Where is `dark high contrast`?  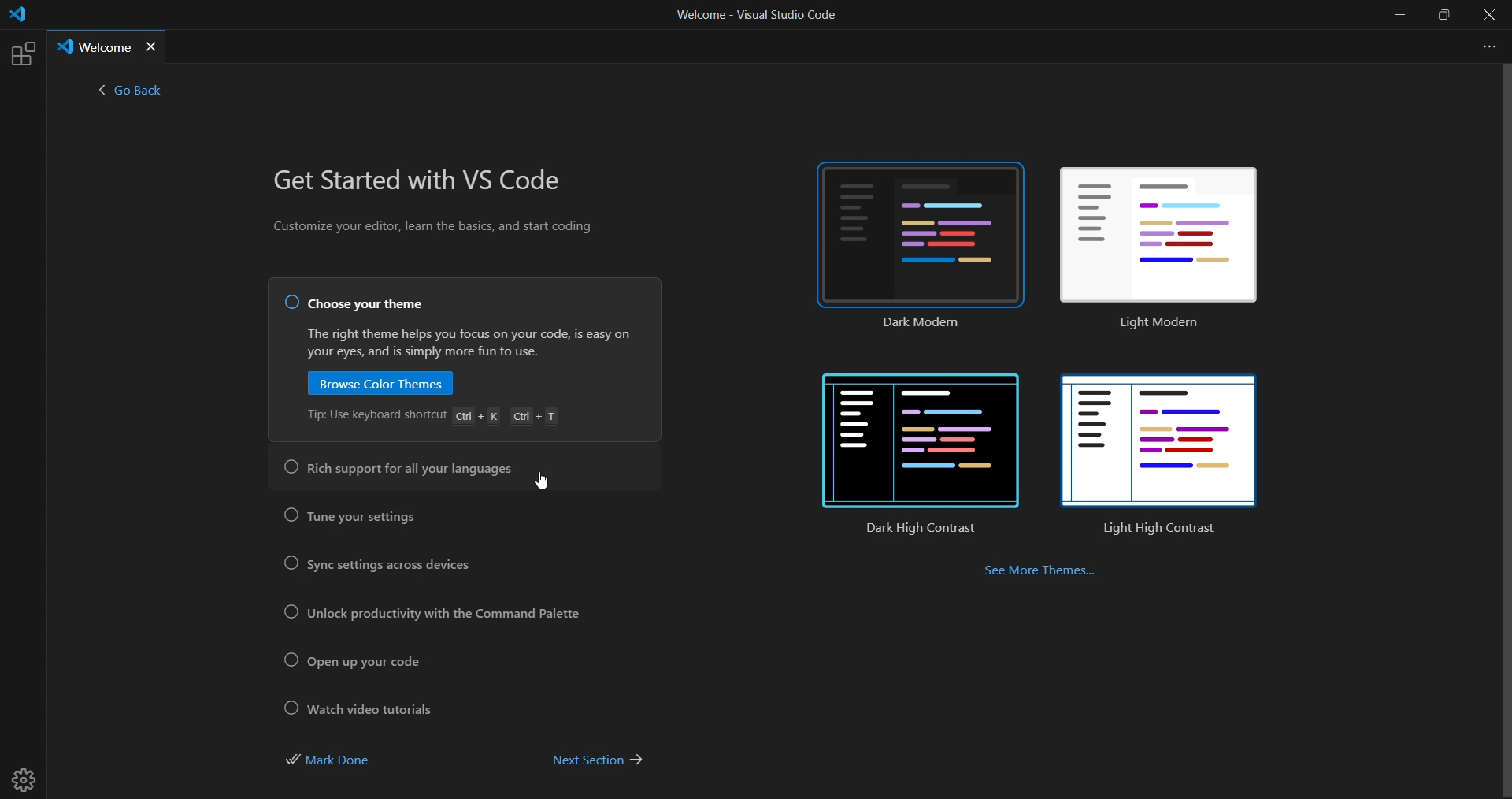 dark high contrast is located at coordinates (912, 436).